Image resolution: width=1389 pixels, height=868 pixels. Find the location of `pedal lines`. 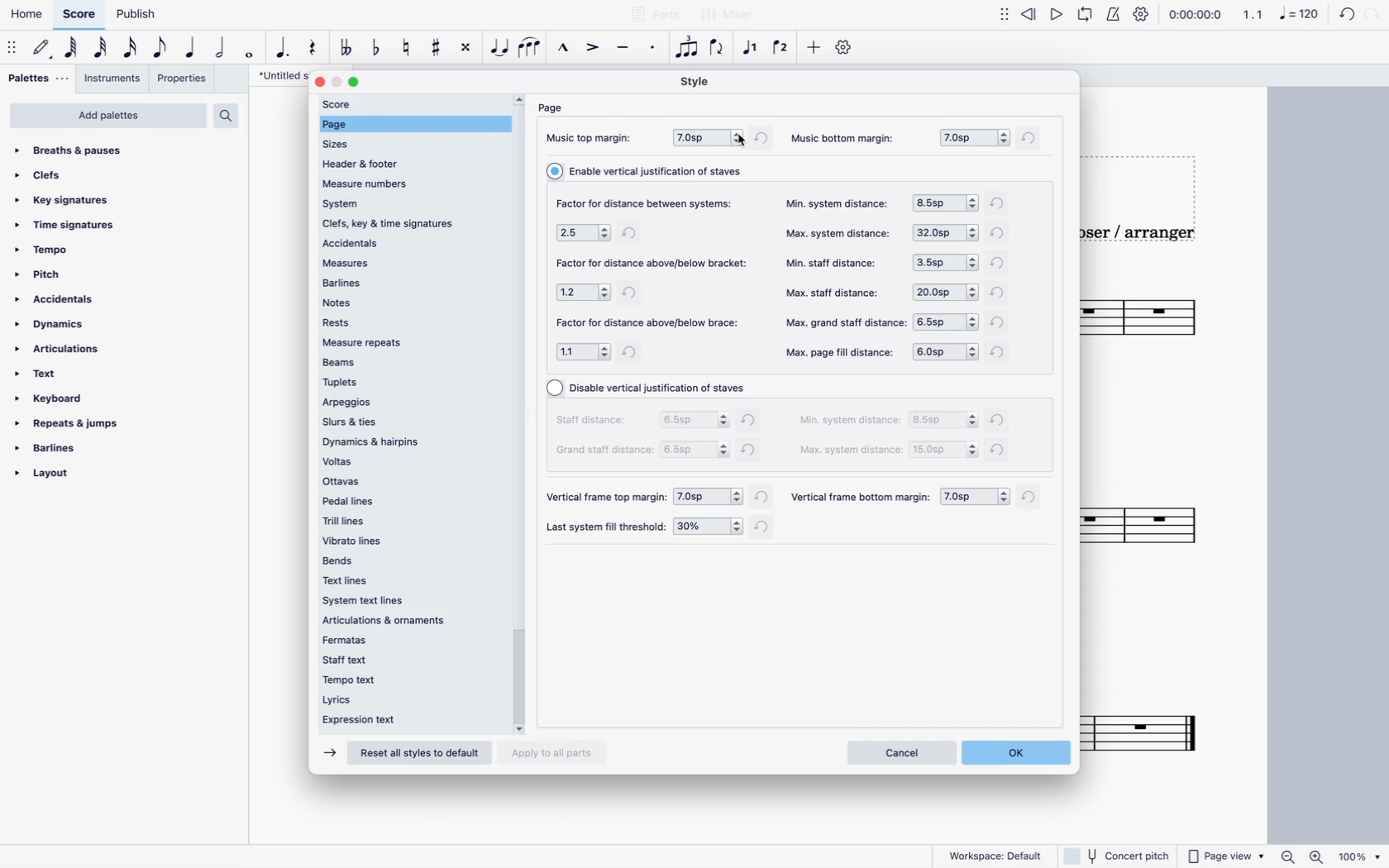

pedal lines is located at coordinates (409, 501).